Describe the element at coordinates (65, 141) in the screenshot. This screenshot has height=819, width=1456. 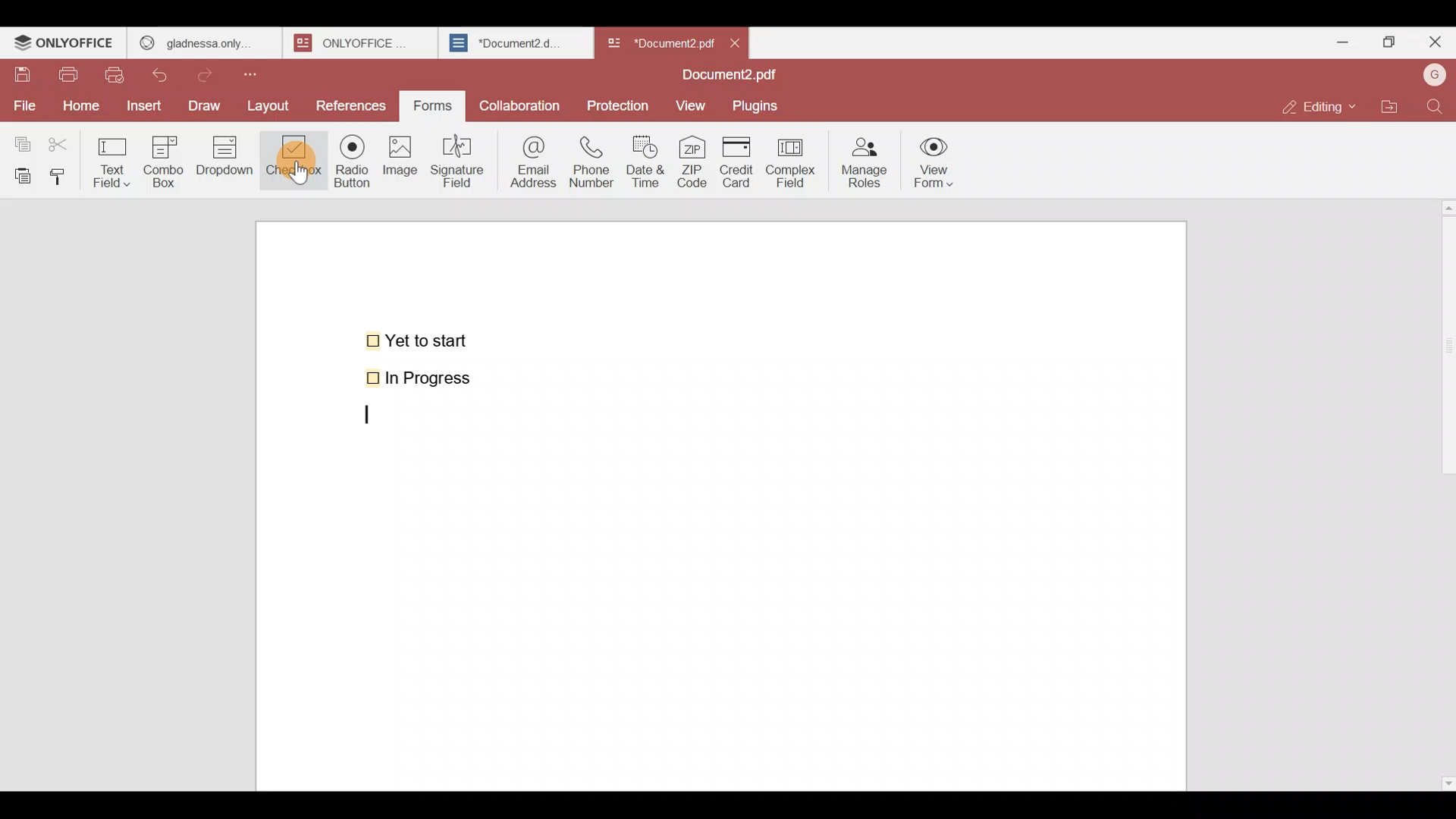
I see `Cut` at that location.